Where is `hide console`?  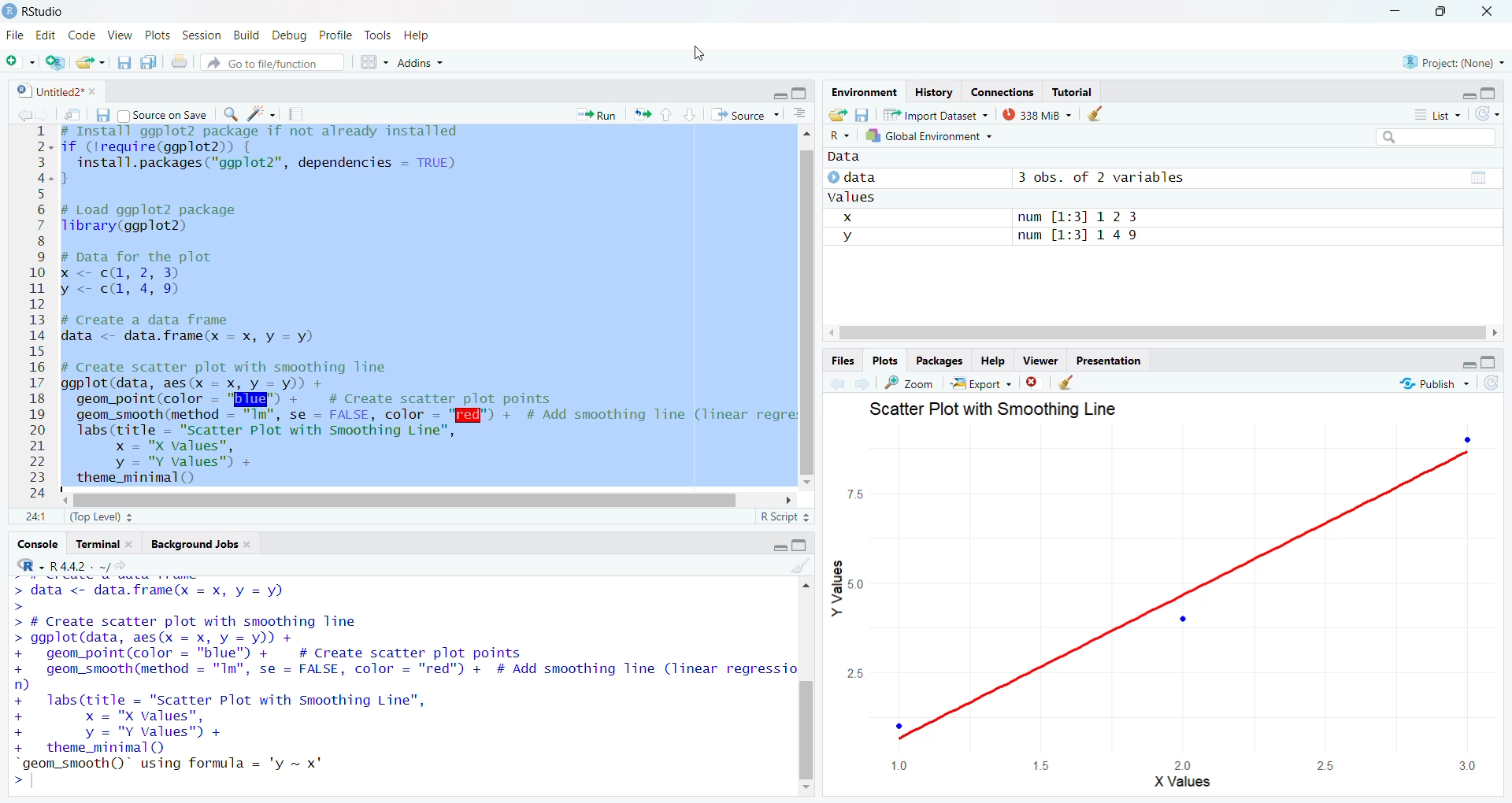
hide console is located at coordinates (1490, 361).